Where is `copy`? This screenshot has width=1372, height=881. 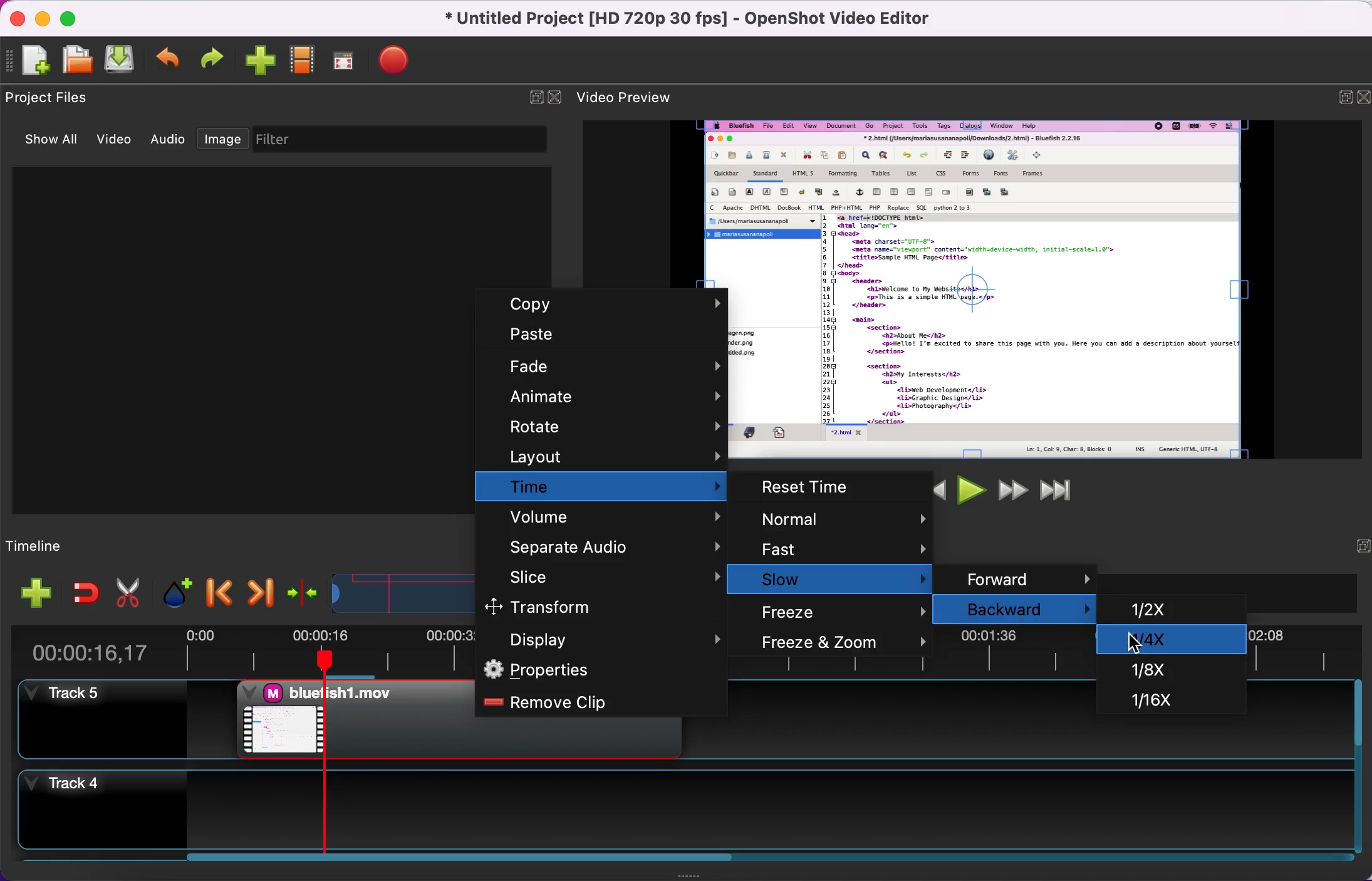 copy is located at coordinates (609, 306).